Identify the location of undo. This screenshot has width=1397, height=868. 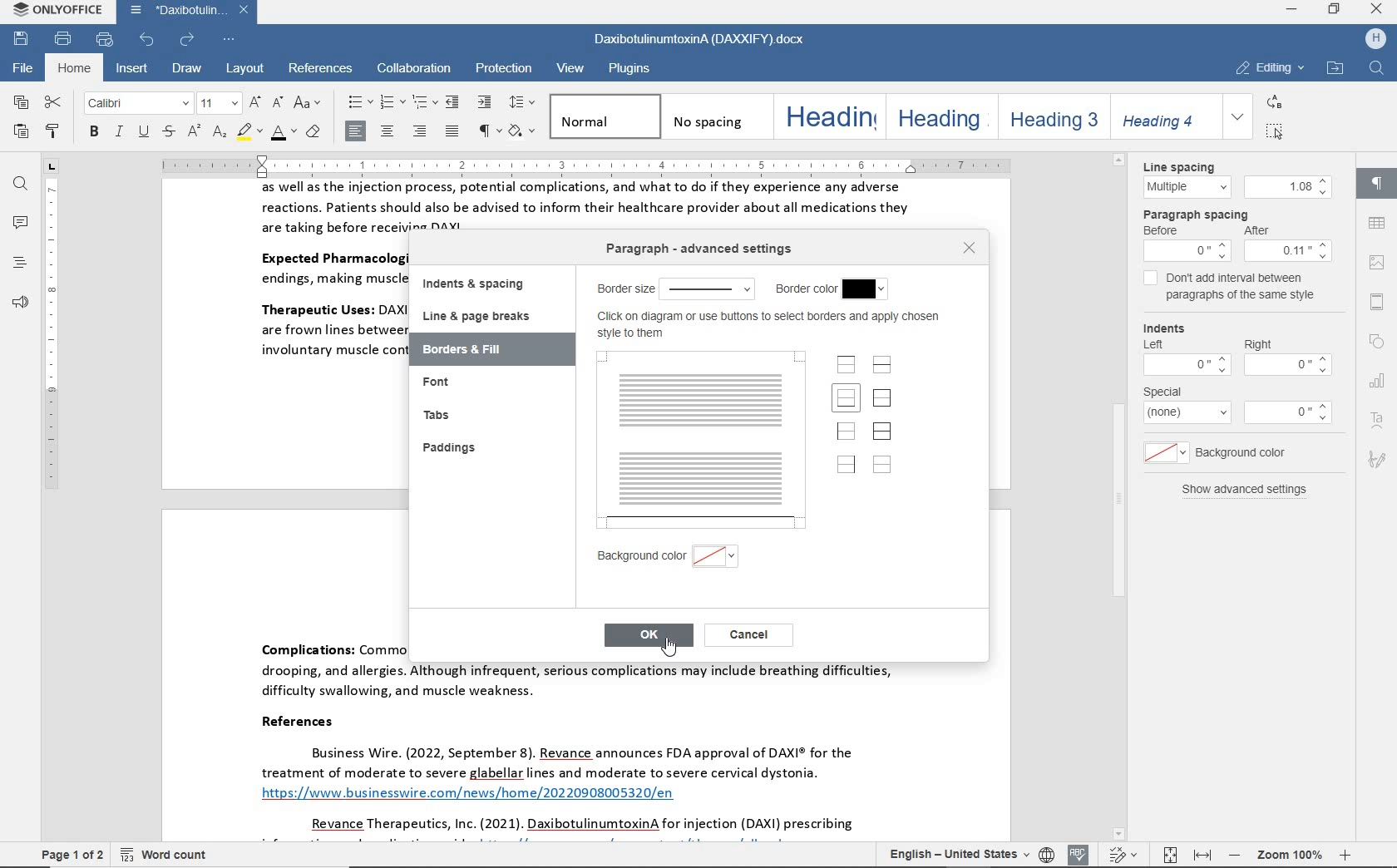
(148, 39).